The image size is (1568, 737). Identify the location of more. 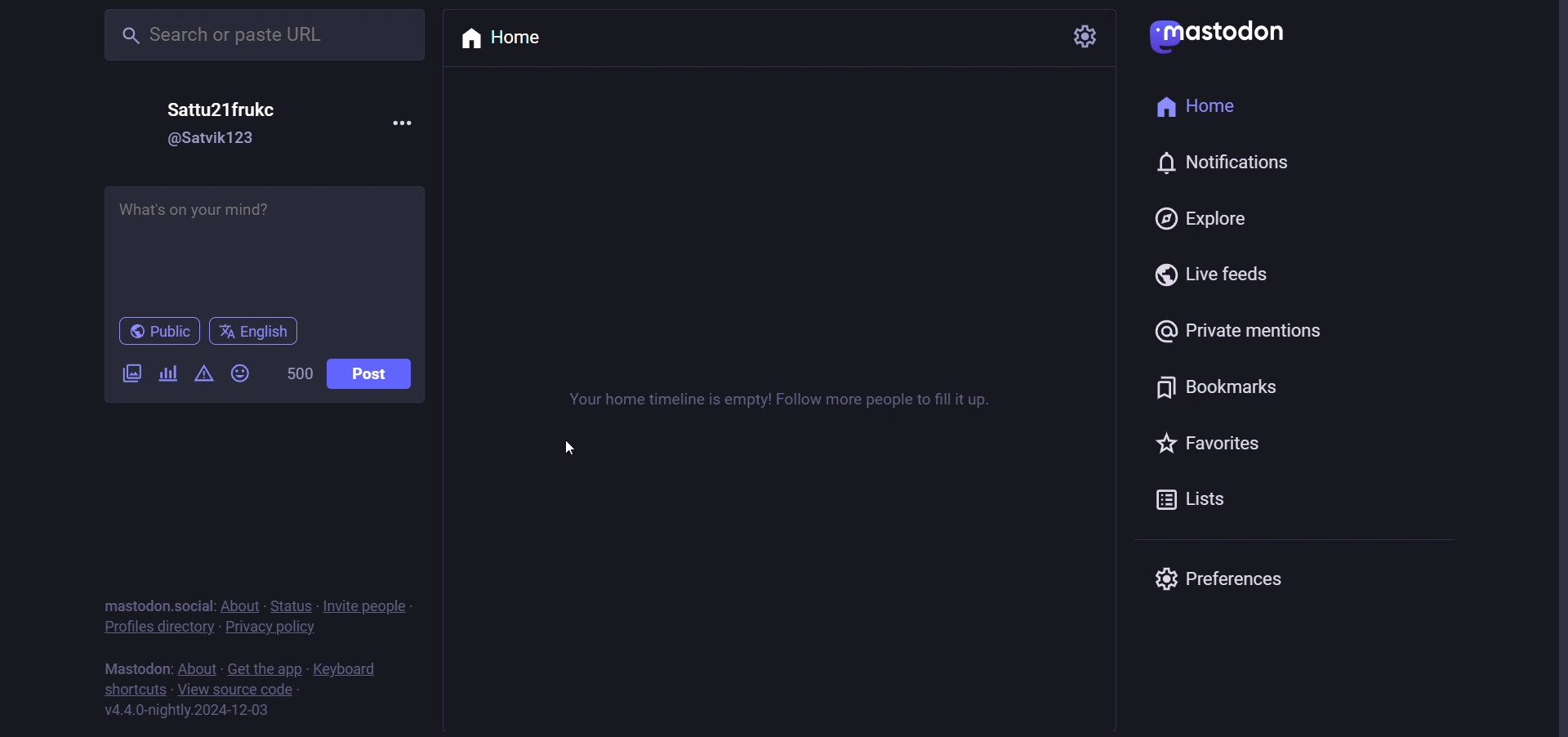
(407, 119).